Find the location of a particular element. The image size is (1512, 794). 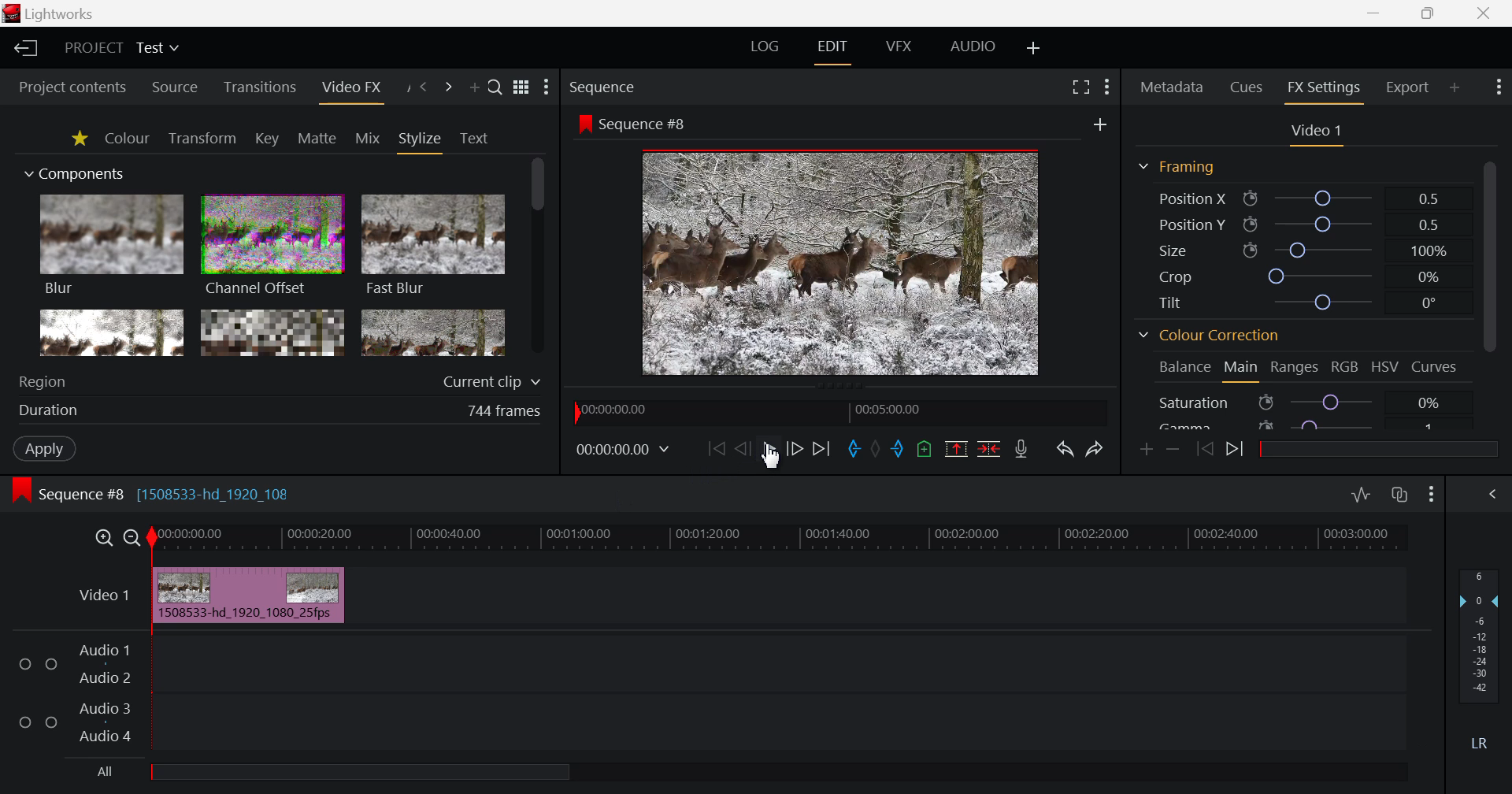

Main Tab Open is located at coordinates (1240, 369).